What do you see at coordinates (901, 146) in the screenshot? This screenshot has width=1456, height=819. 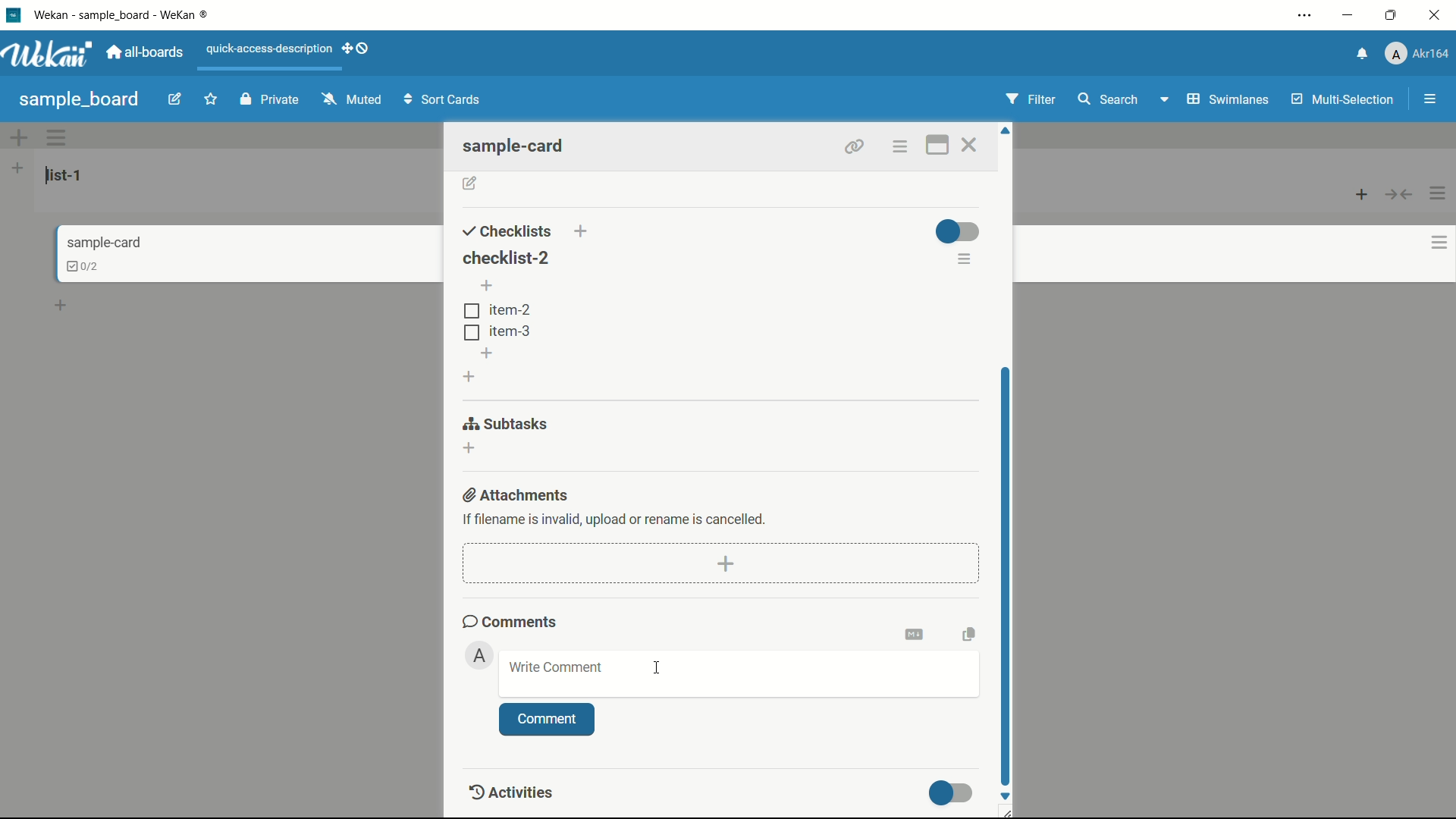 I see `options` at bounding box center [901, 146].